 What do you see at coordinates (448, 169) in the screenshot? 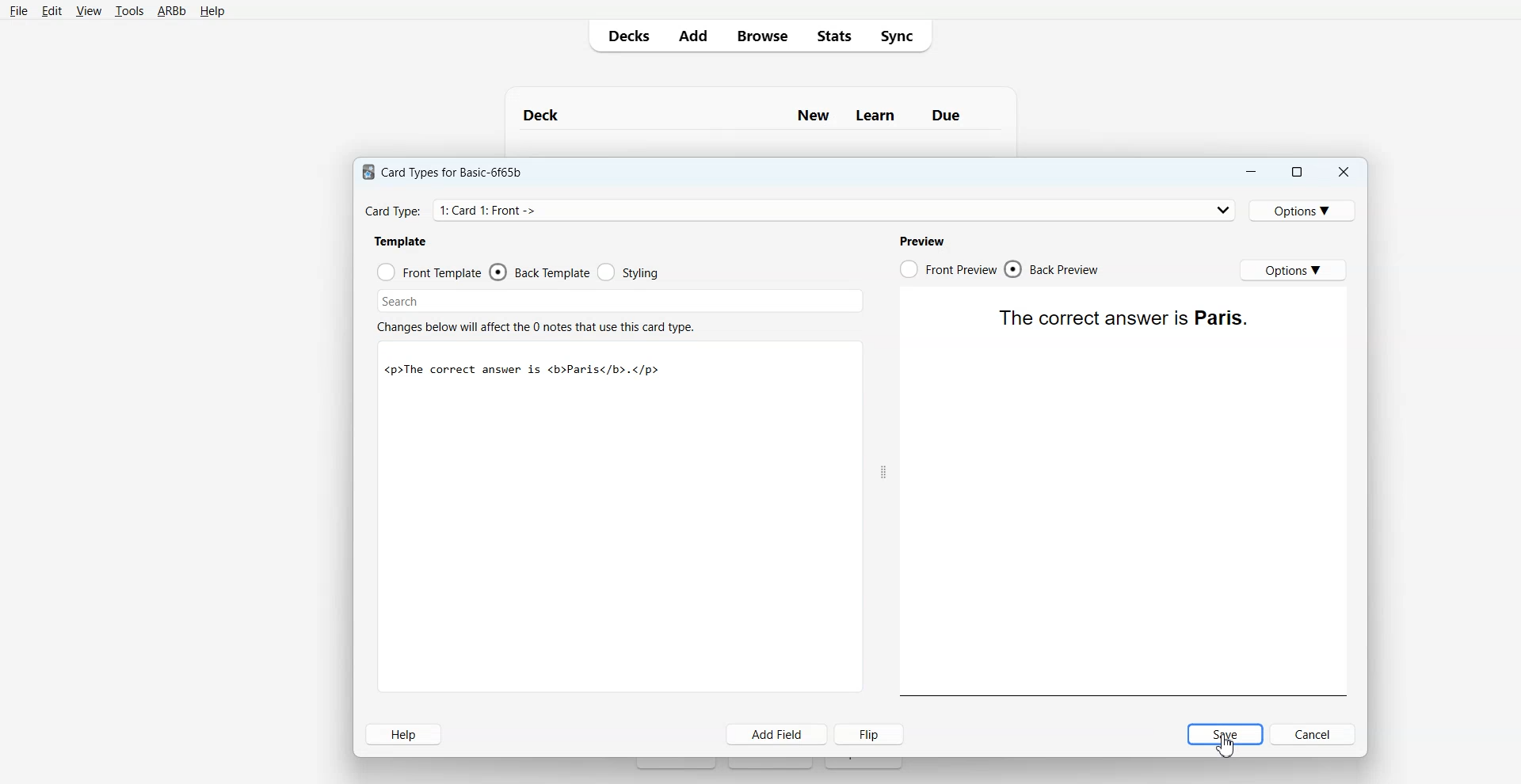
I see `Text 1` at bounding box center [448, 169].